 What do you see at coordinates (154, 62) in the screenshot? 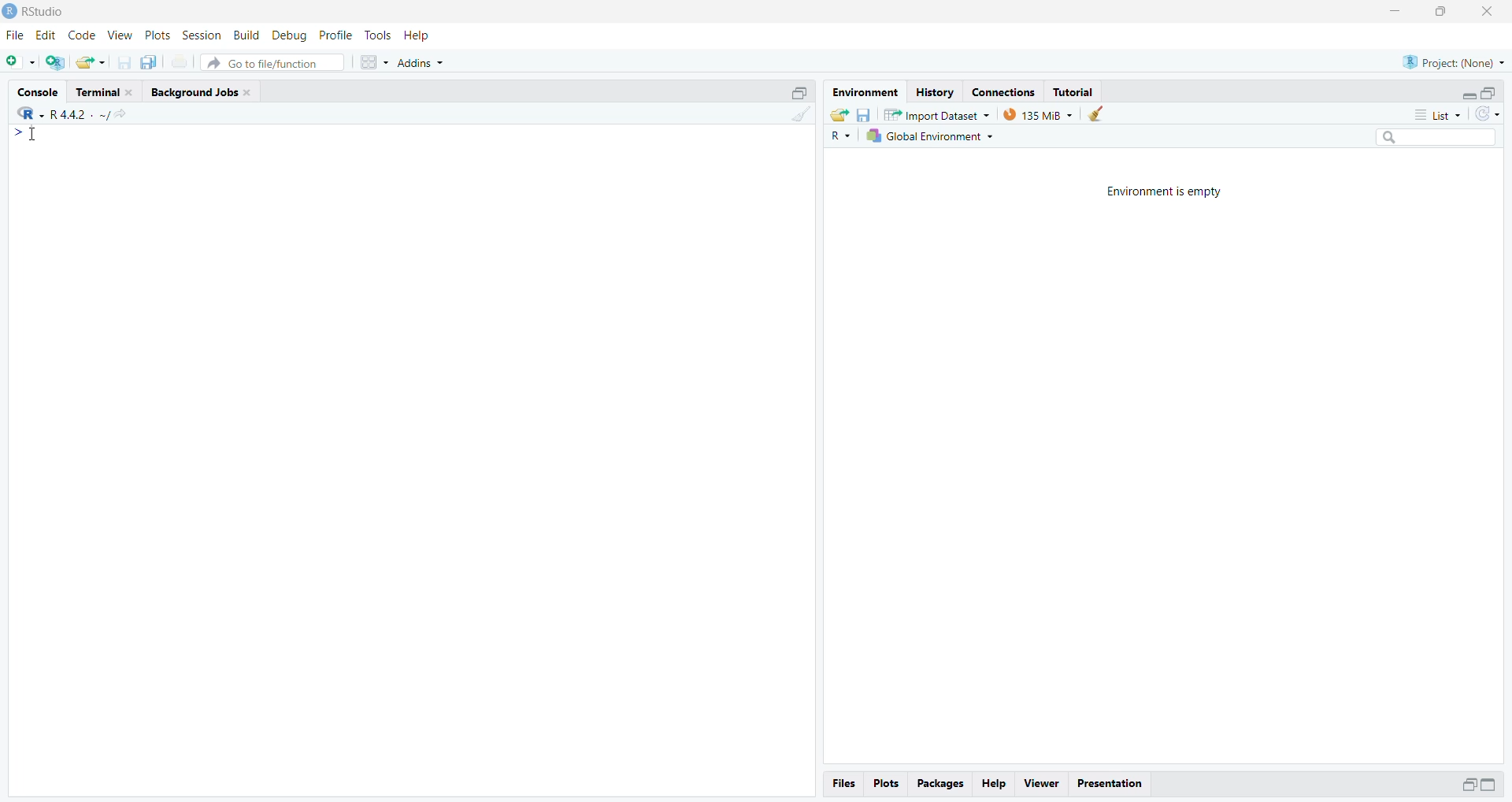
I see `Save all open documents (Ctrl + Alt + S)` at bounding box center [154, 62].